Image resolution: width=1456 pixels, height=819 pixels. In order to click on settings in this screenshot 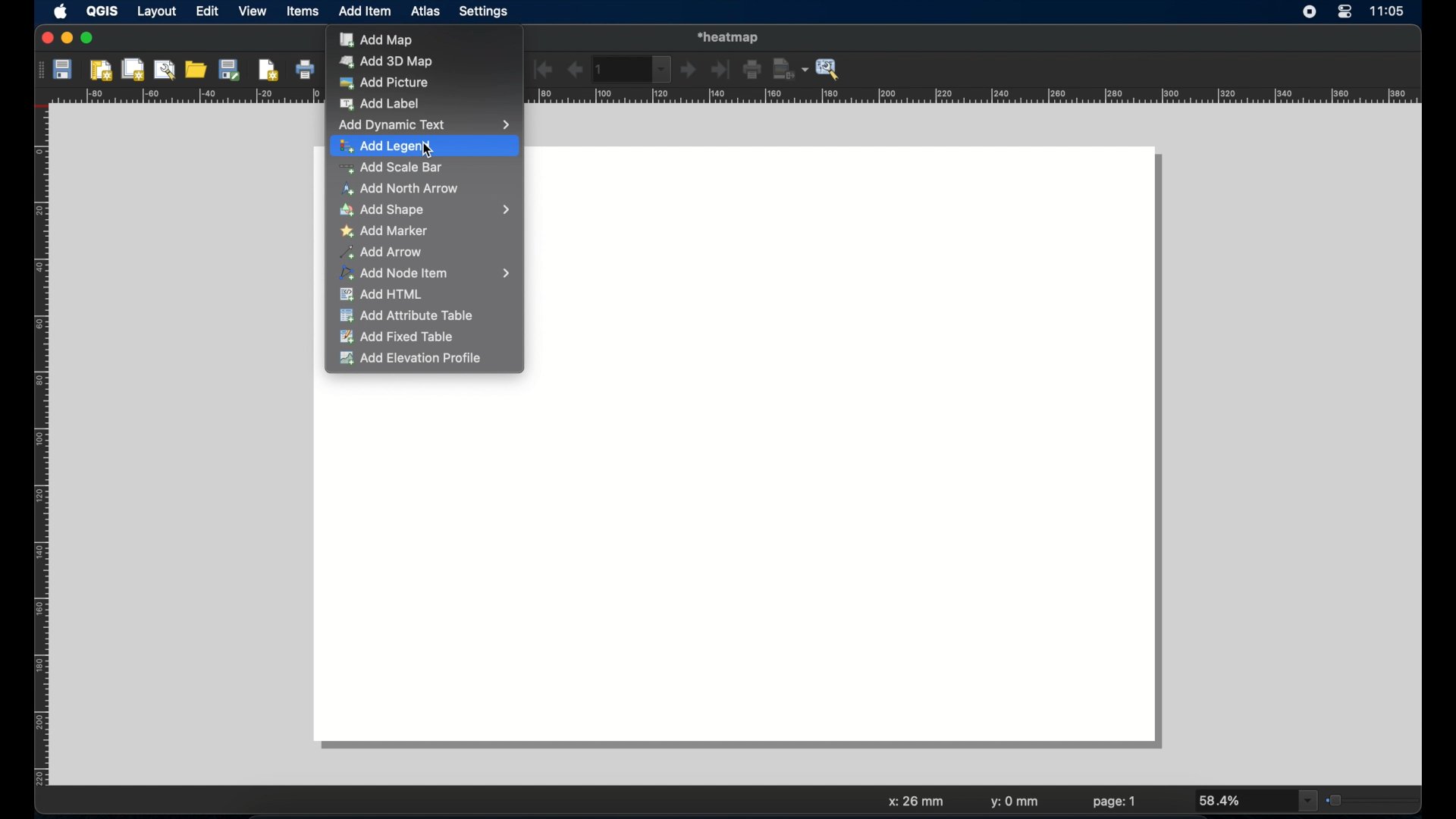, I will do `click(485, 12)`.